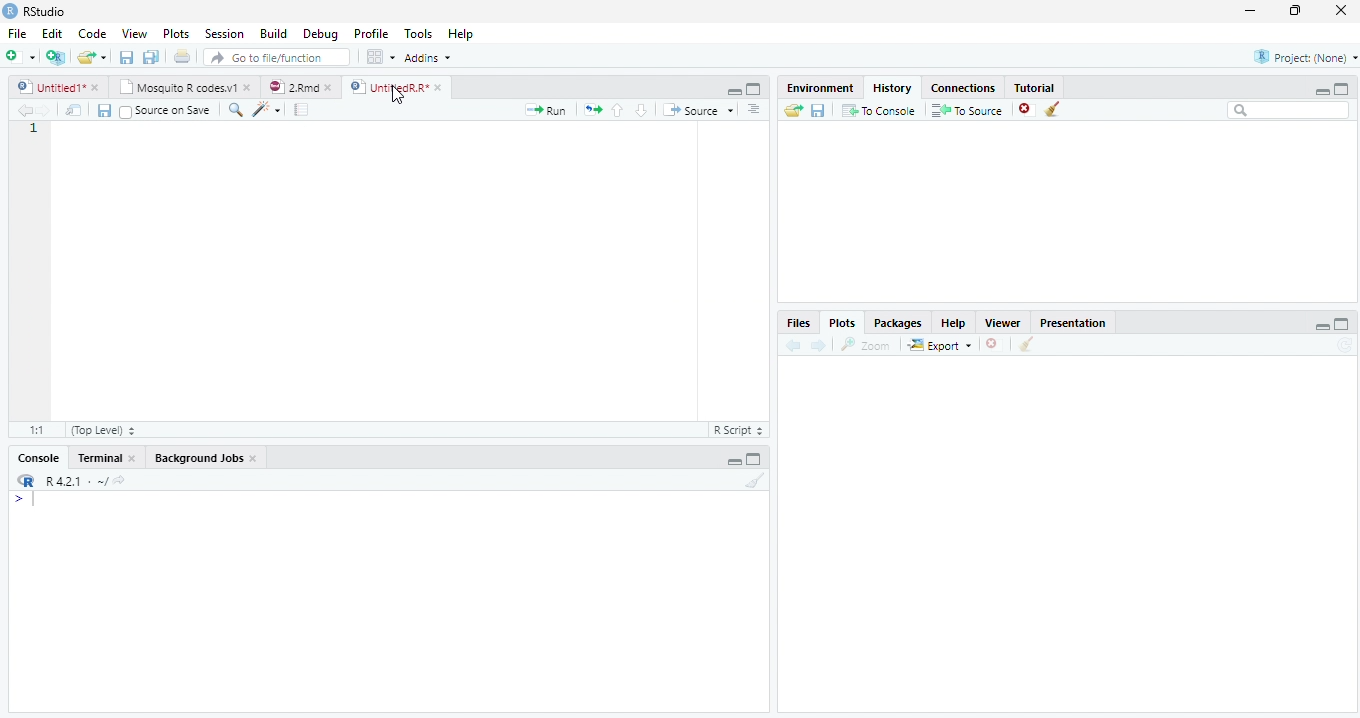 Image resolution: width=1360 pixels, height=718 pixels. I want to click on Search, so click(1289, 113).